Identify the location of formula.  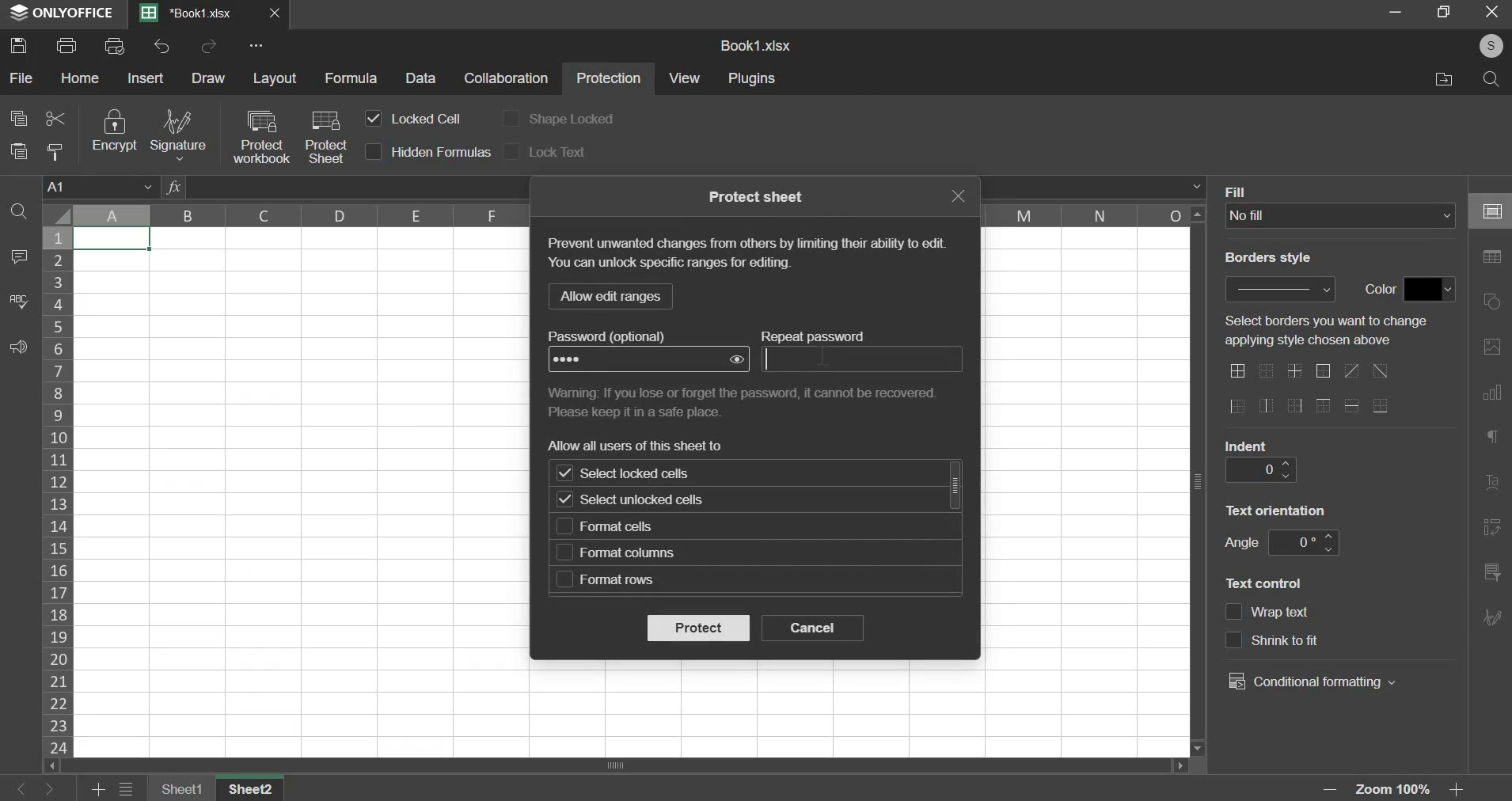
(351, 78).